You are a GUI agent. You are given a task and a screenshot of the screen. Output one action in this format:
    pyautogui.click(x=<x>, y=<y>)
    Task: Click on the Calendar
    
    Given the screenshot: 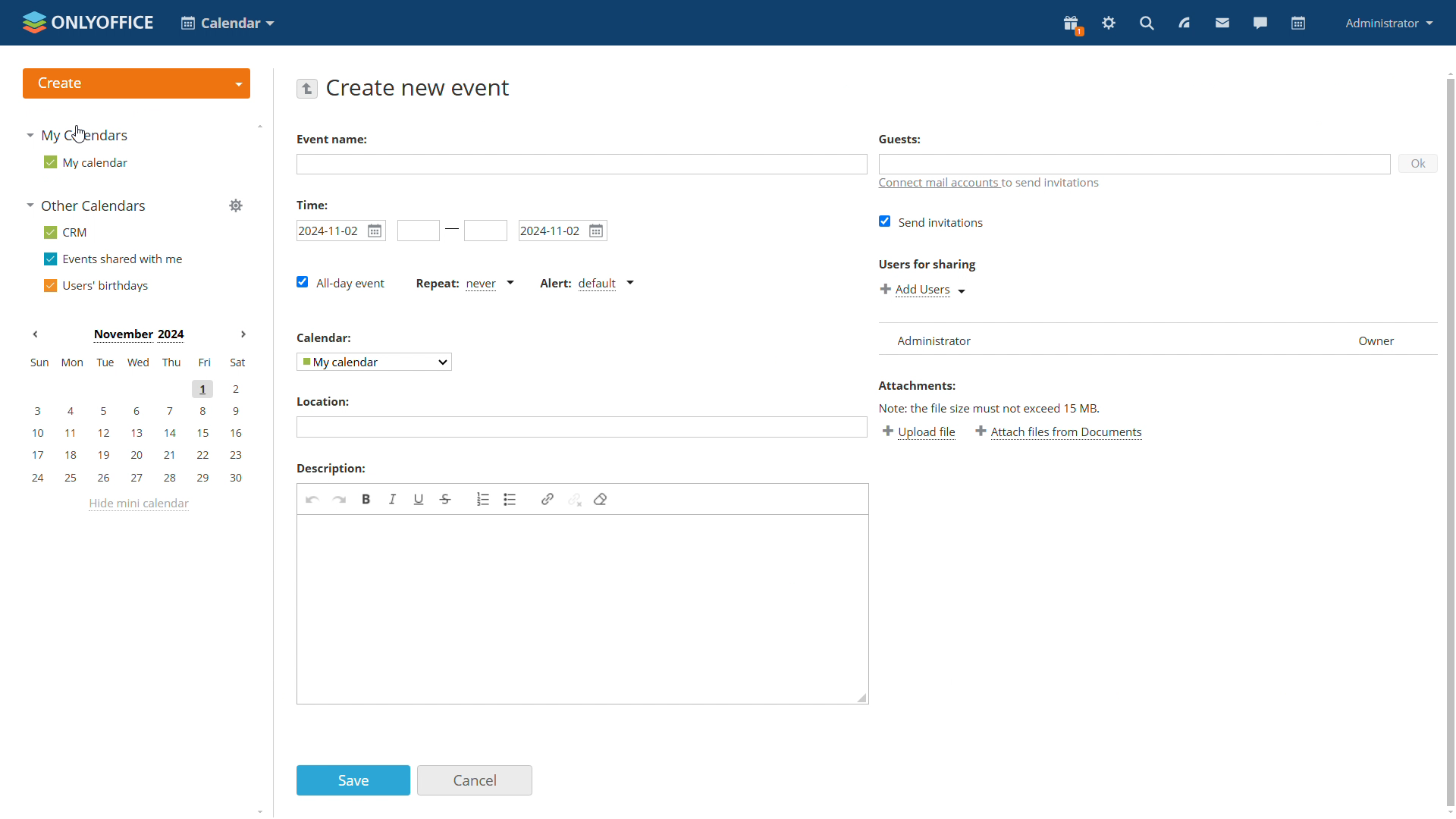 What is the action you would take?
    pyautogui.click(x=325, y=337)
    